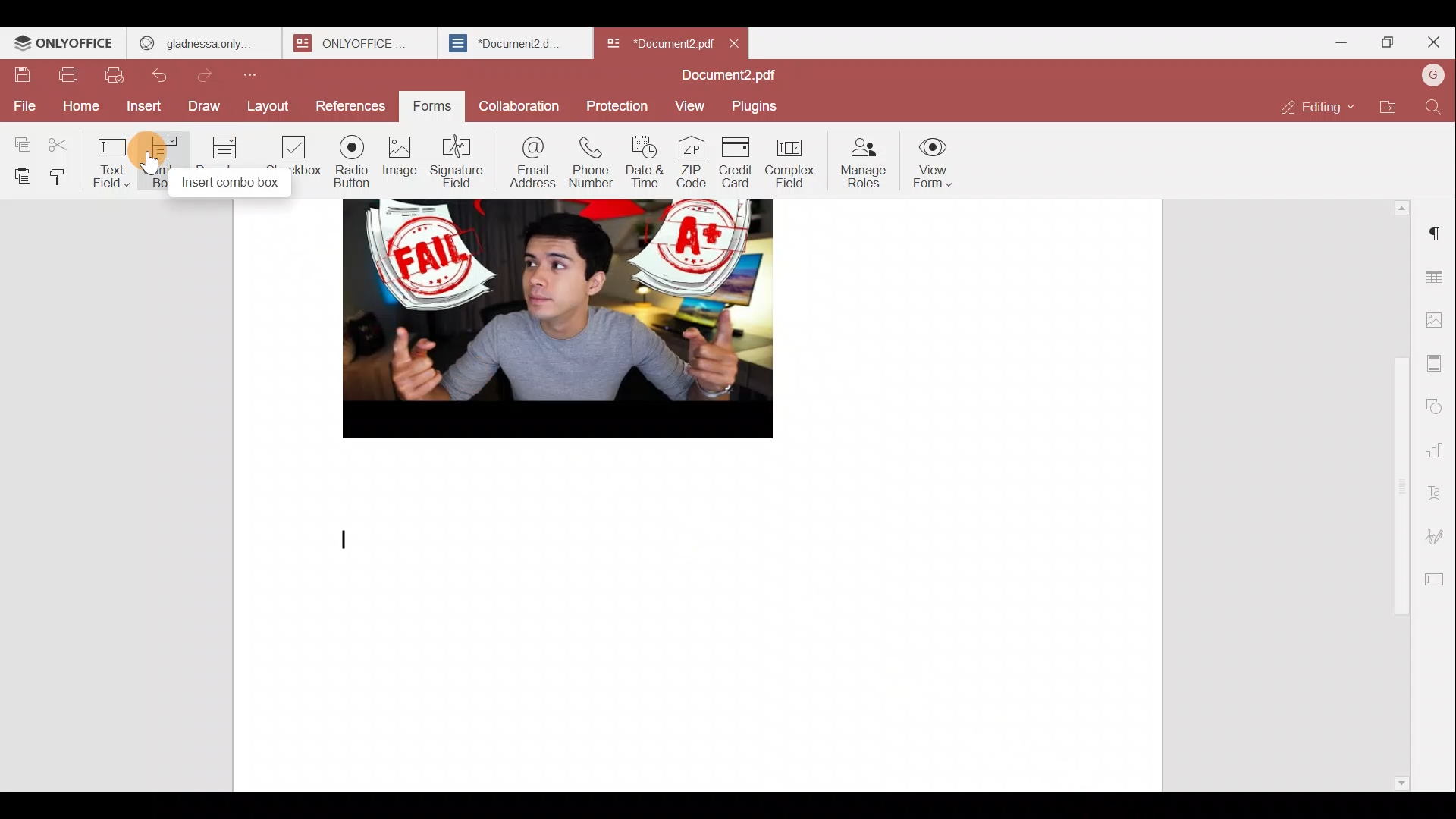  I want to click on Layout, so click(267, 108).